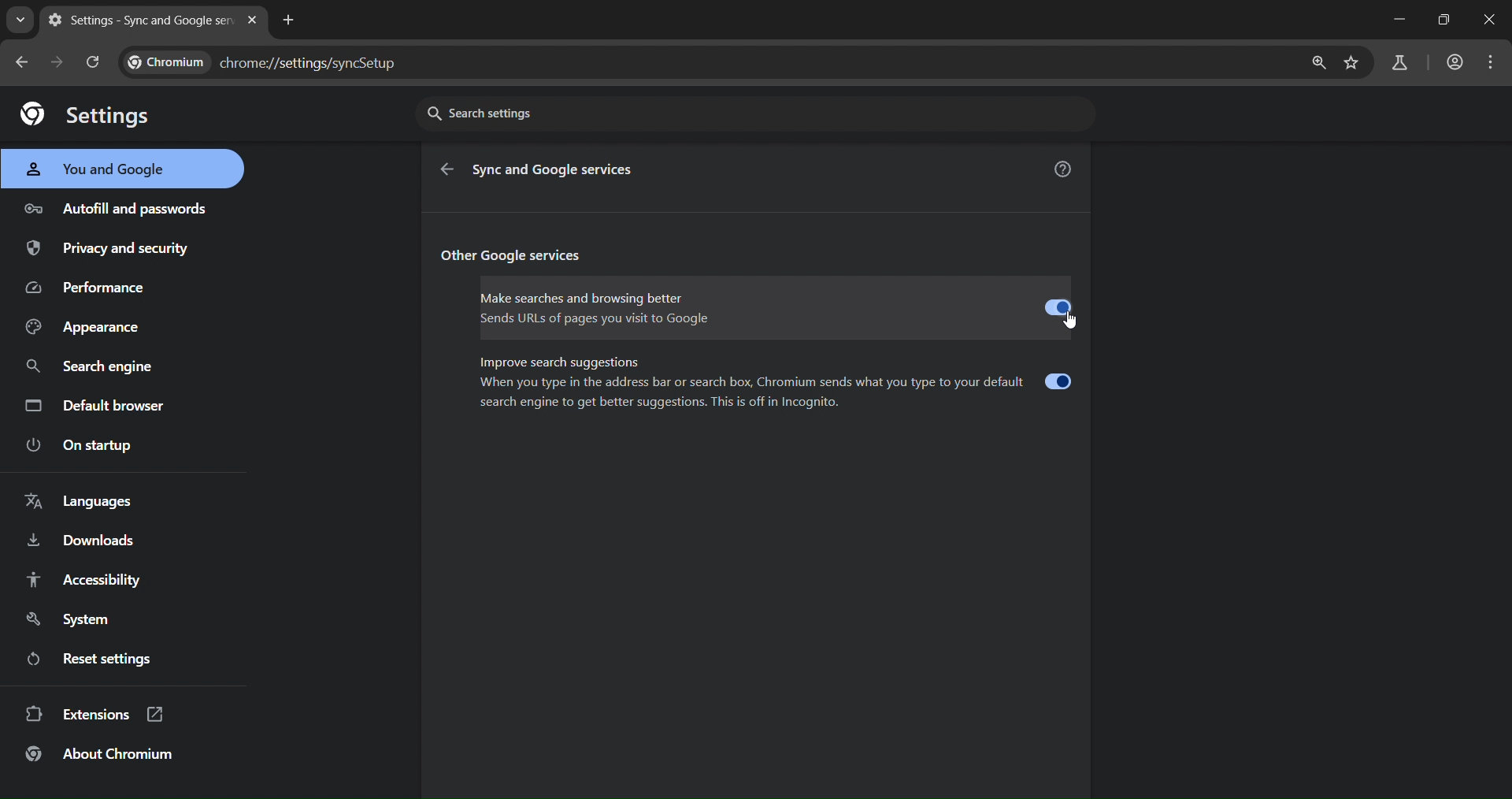  Describe the element at coordinates (291, 21) in the screenshot. I see `new tab` at that location.